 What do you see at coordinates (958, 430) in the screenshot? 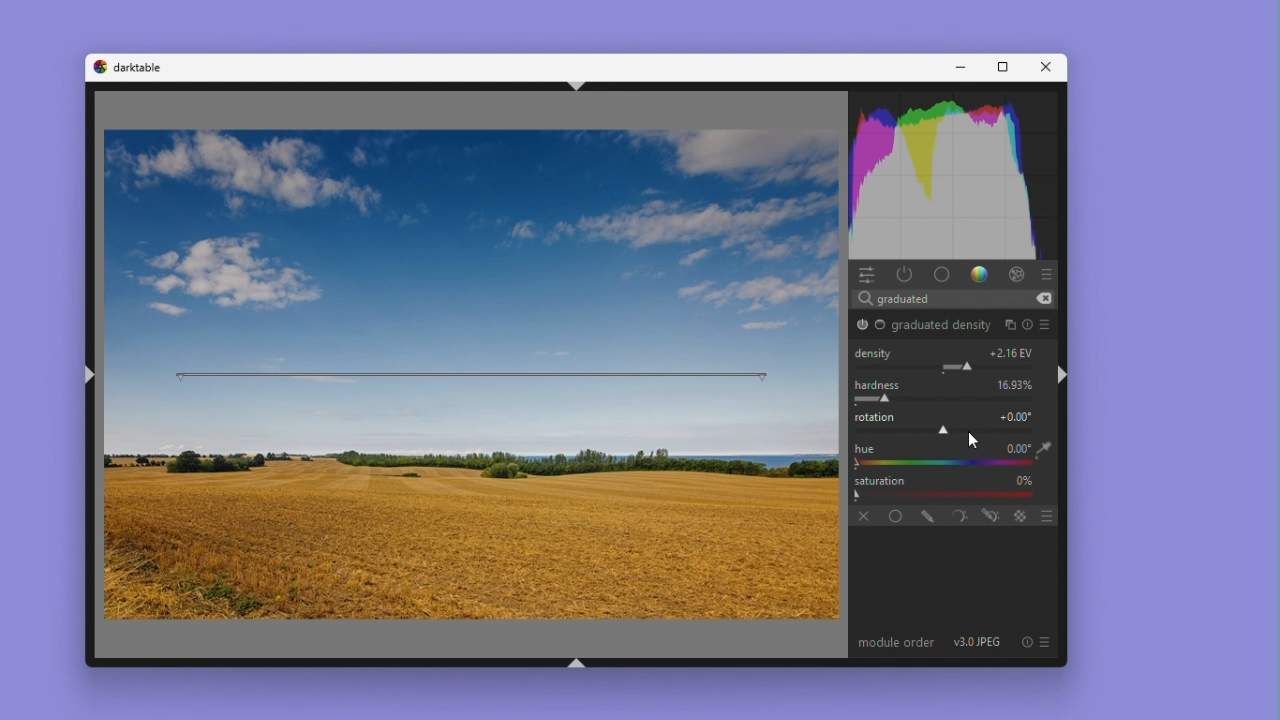
I see `rotation adjustment slider` at bounding box center [958, 430].